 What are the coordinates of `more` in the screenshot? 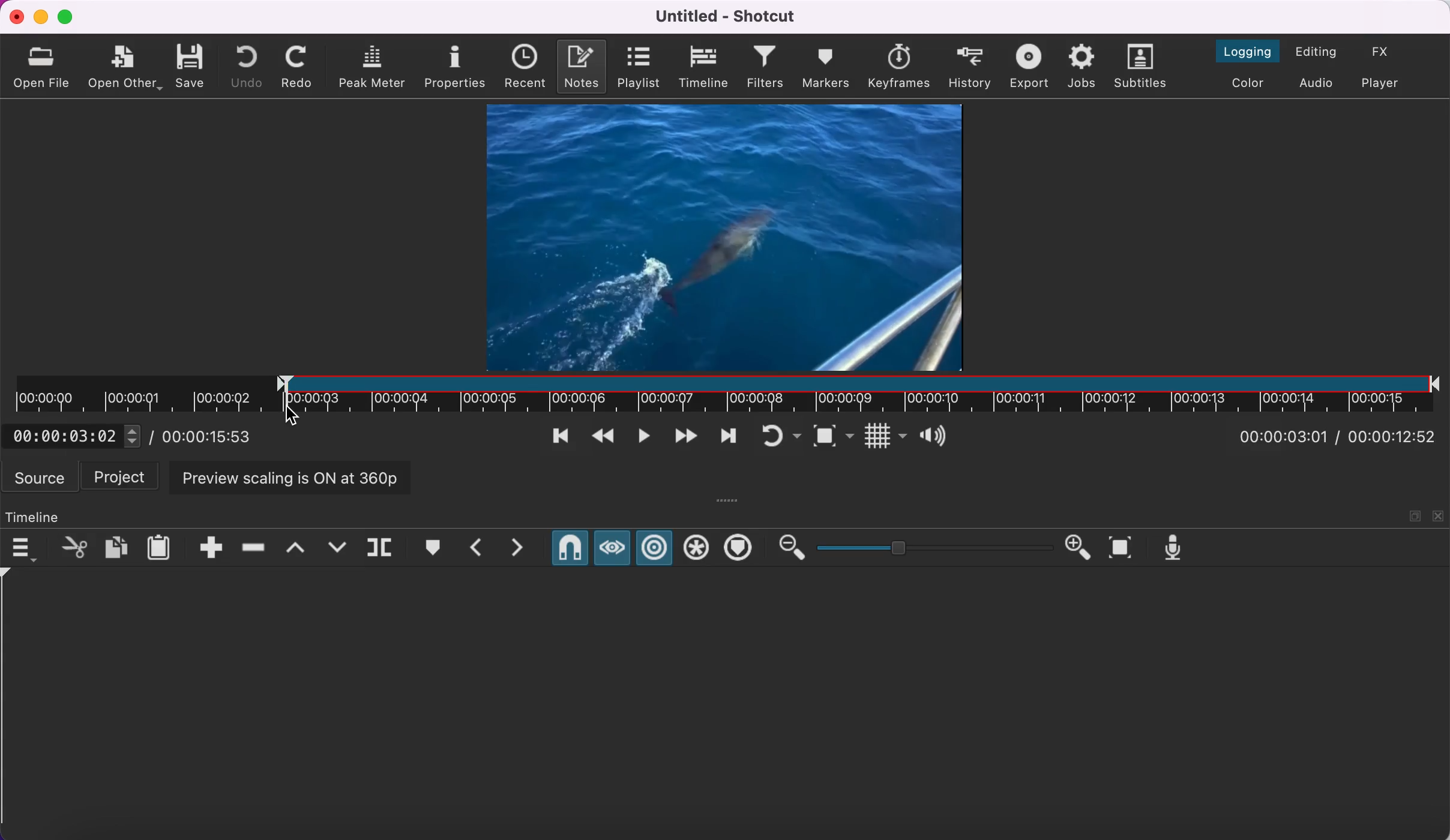 It's located at (730, 499).